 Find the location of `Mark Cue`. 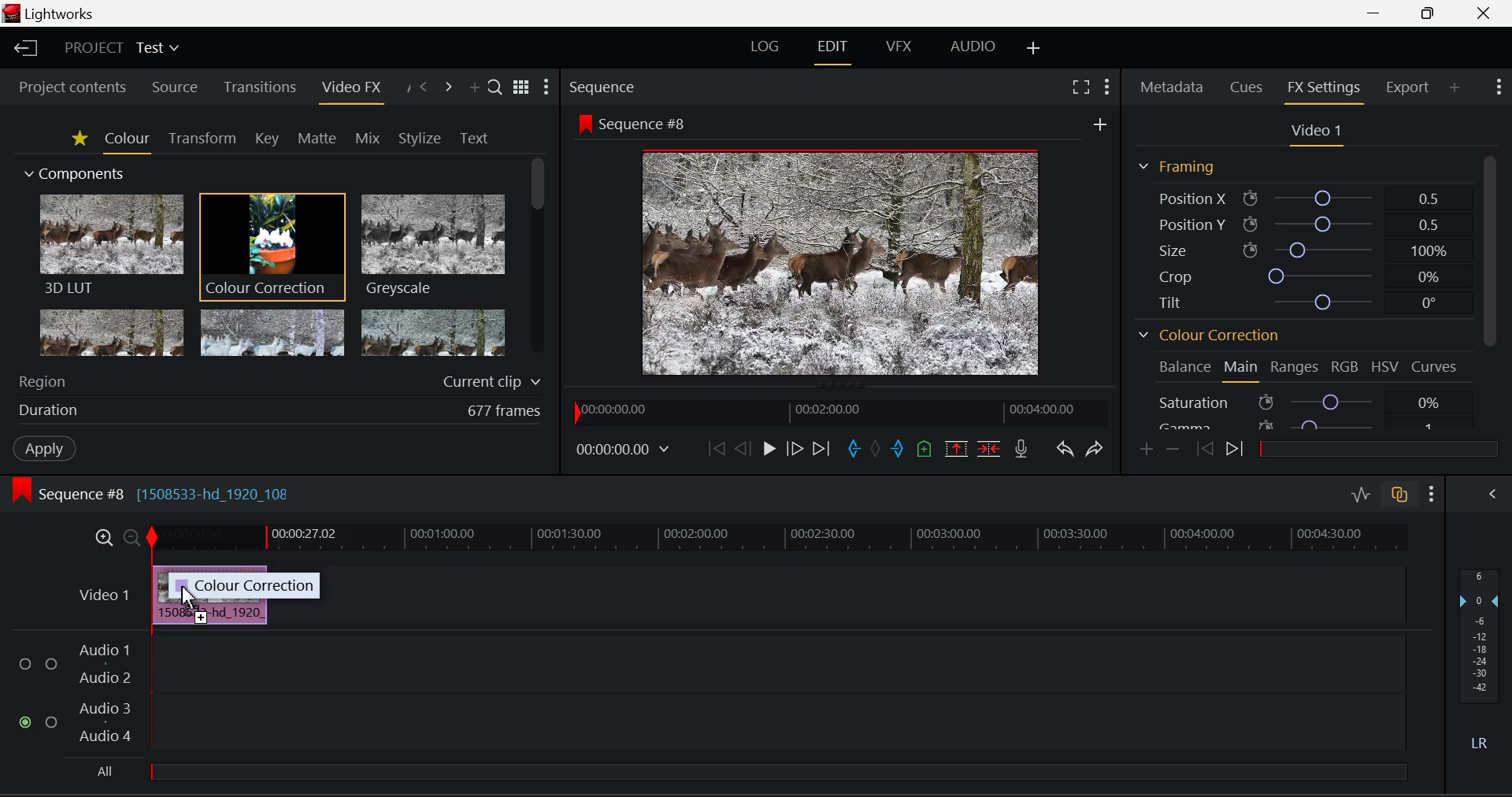

Mark Cue is located at coordinates (925, 450).